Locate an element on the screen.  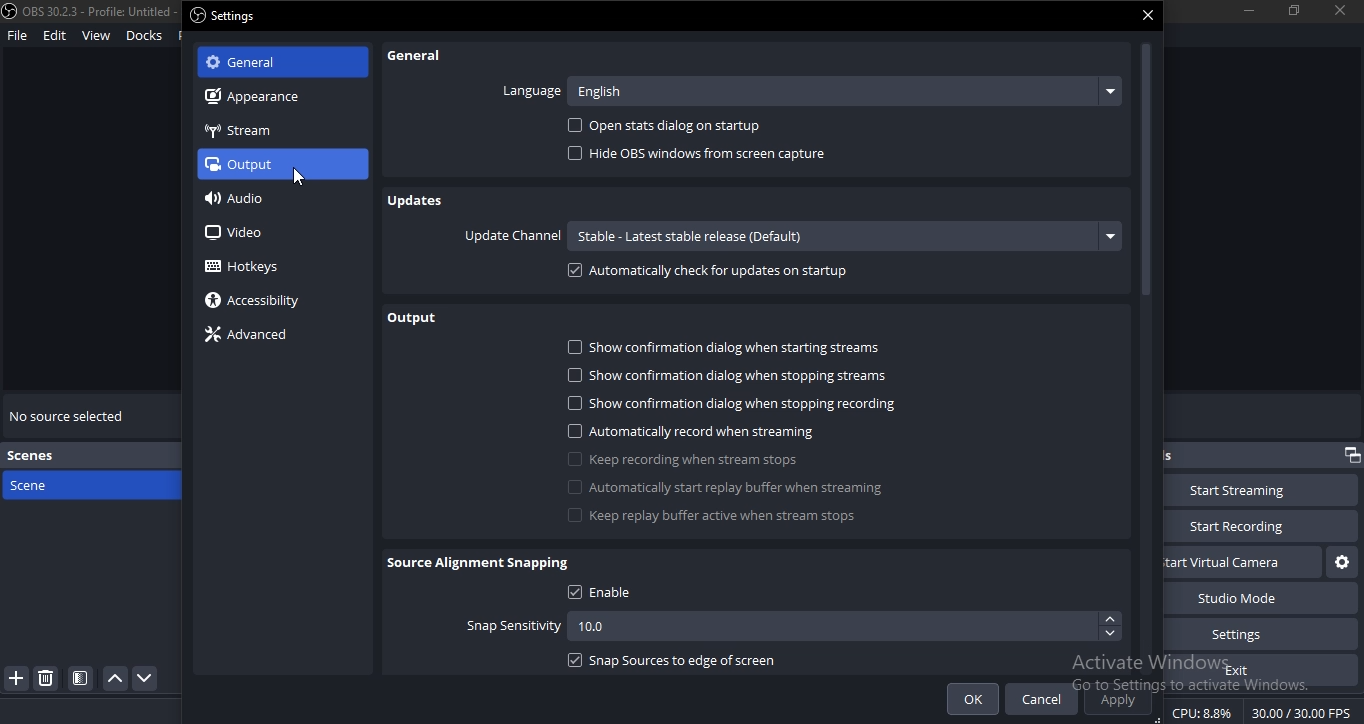
close is located at coordinates (1149, 14).